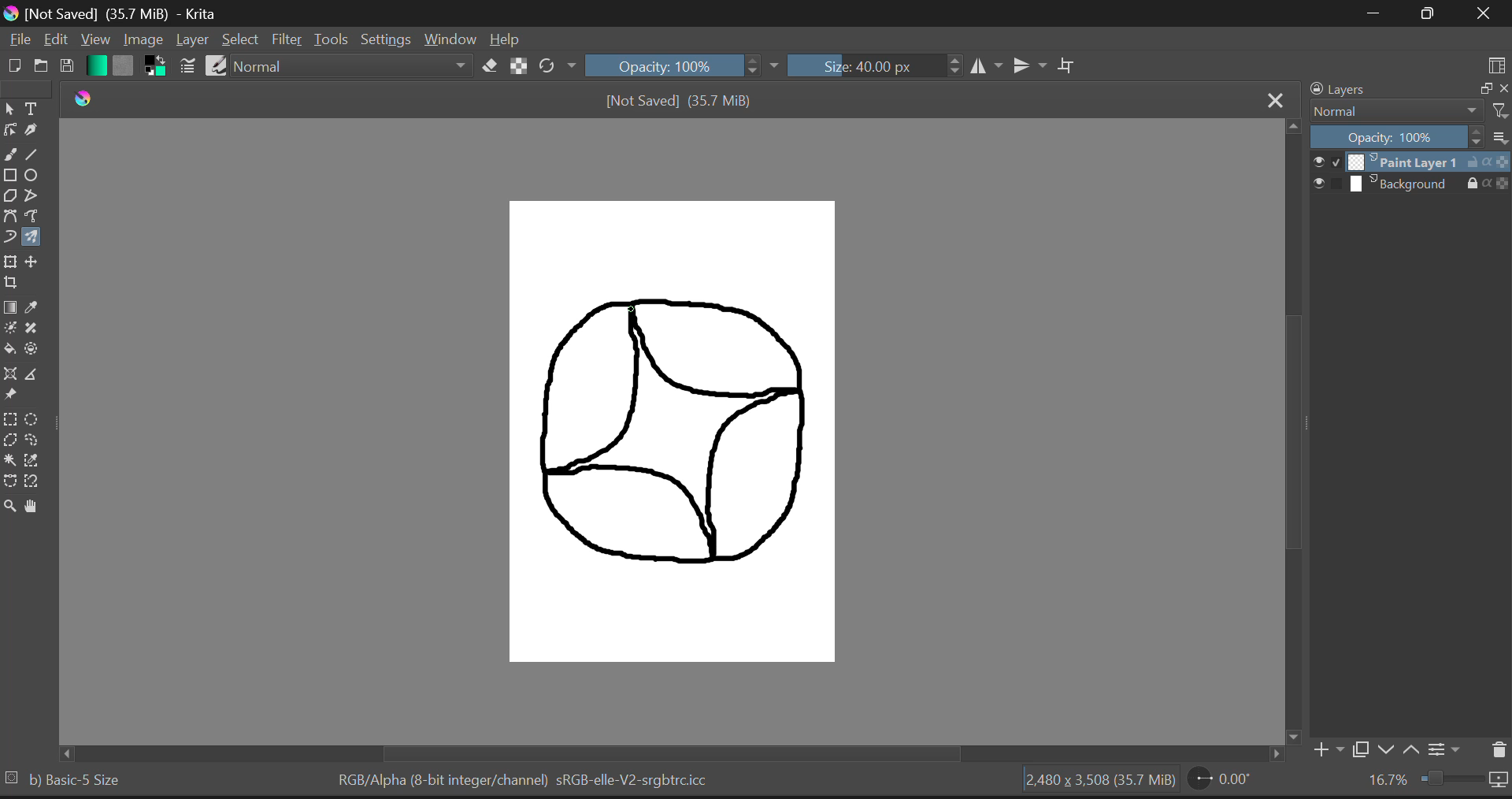 The width and height of the screenshot is (1512, 799). Describe the element at coordinates (1484, 15) in the screenshot. I see `Close` at that location.